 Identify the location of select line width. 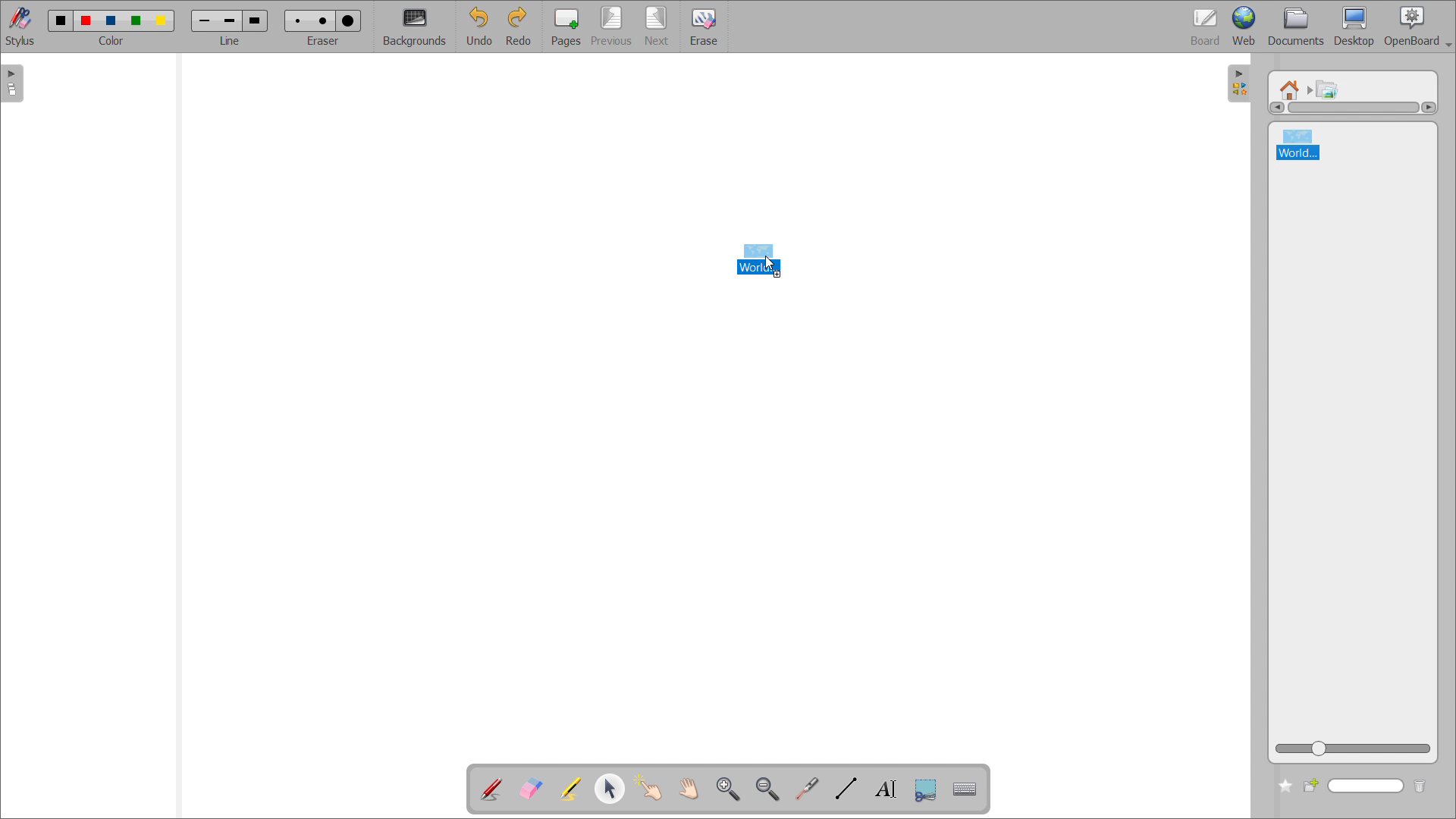
(230, 27).